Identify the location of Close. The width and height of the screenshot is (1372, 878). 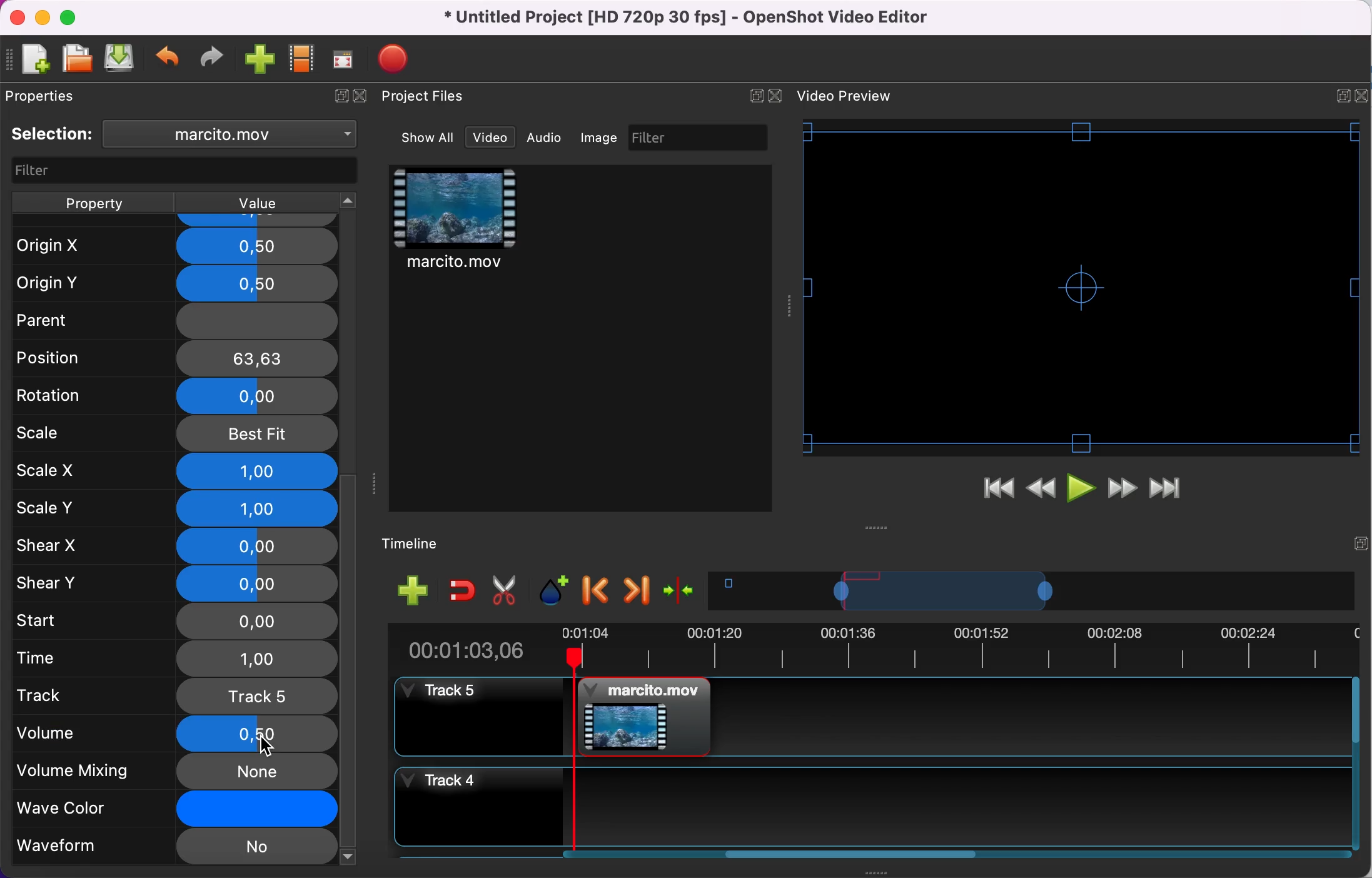
(1361, 96).